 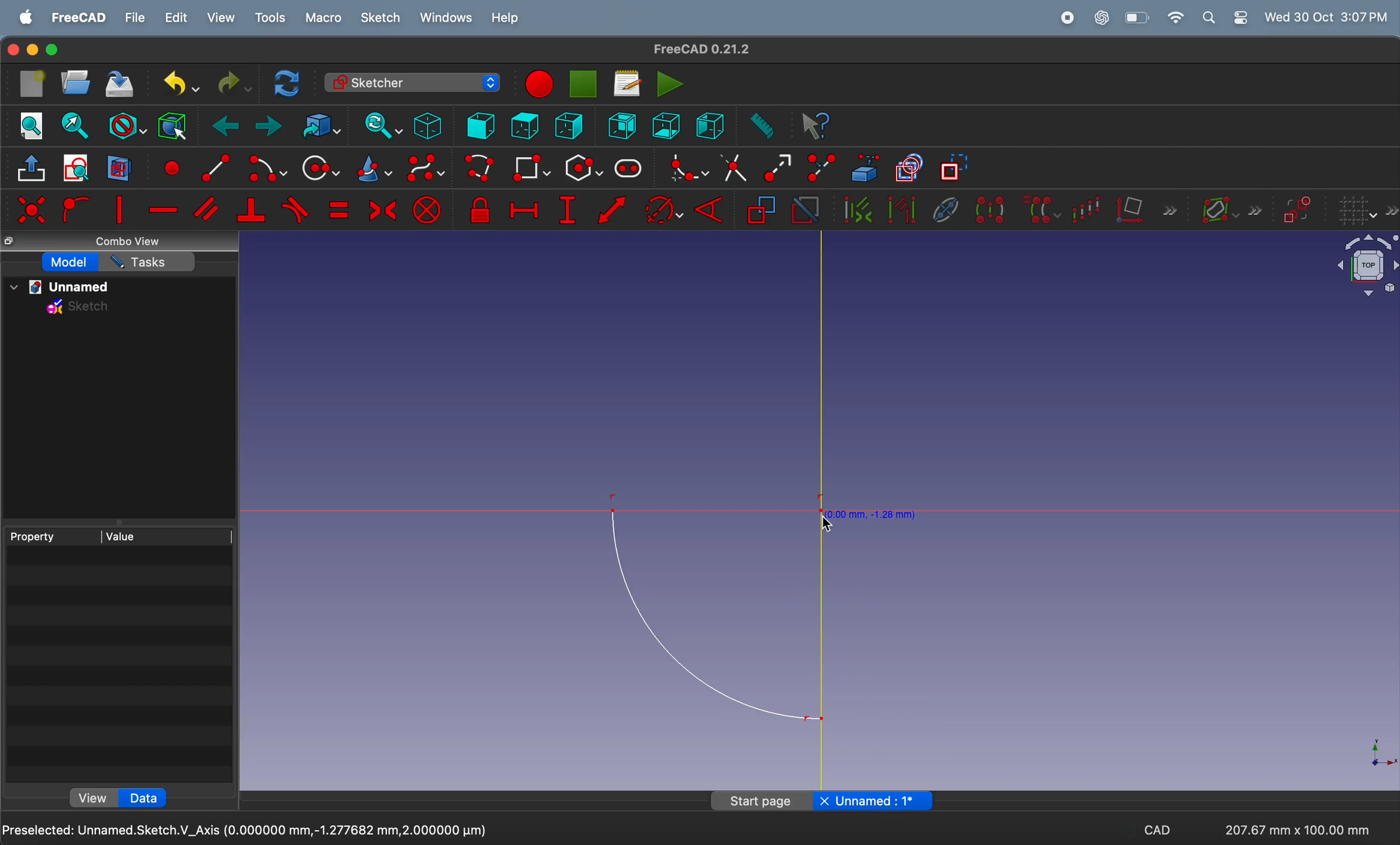 What do you see at coordinates (1330, 16) in the screenshot?
I see `Wed 30 Oct 3:07PM` at bounding box center [1330, 16].